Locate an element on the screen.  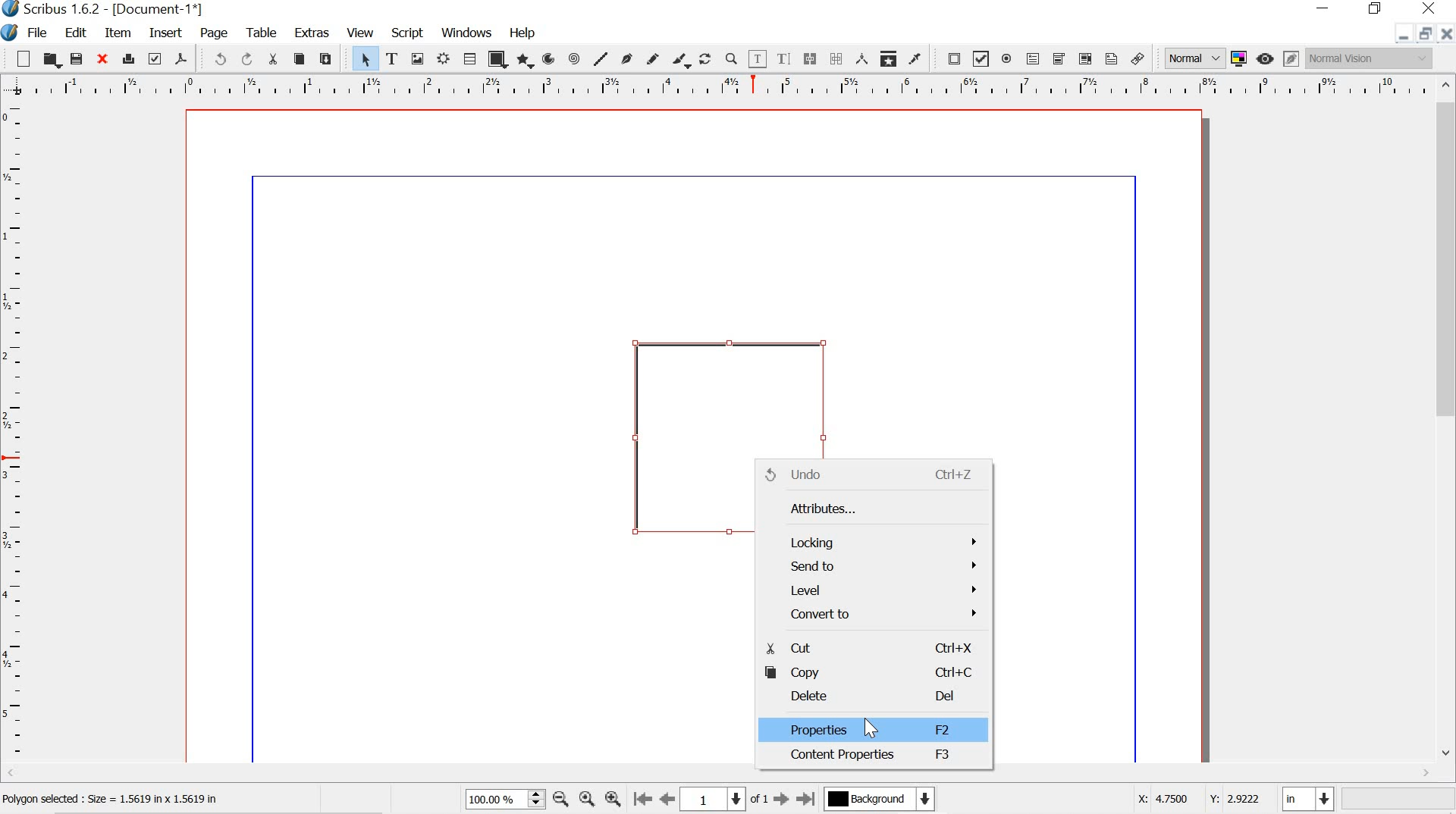
zoom out is located at coordinates (560, 798).